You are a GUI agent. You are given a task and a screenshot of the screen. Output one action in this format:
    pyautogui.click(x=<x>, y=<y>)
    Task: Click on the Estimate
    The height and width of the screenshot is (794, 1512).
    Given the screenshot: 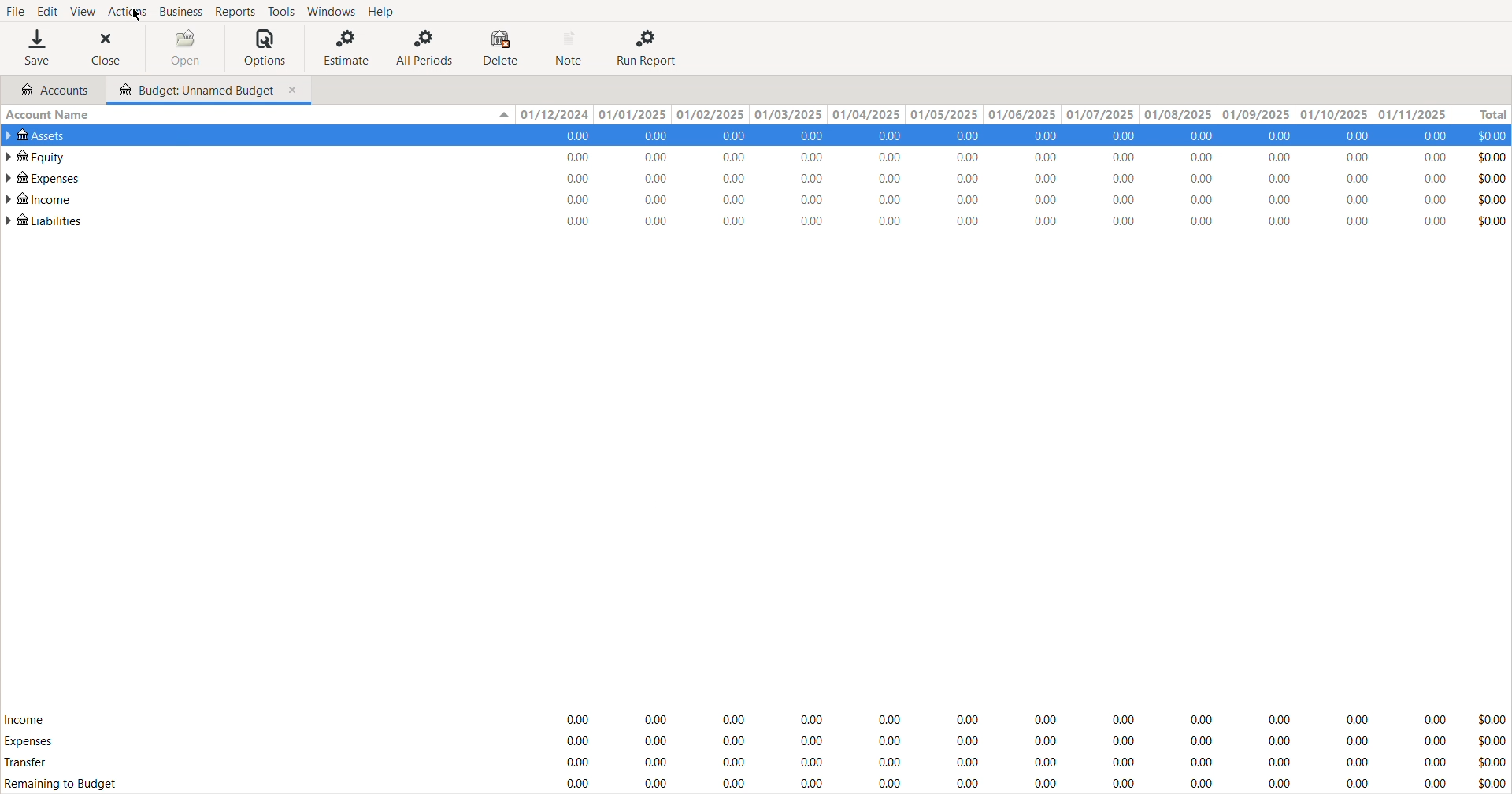 What is the action you would take?
    pyautogui.click(x=343, y=47)
    